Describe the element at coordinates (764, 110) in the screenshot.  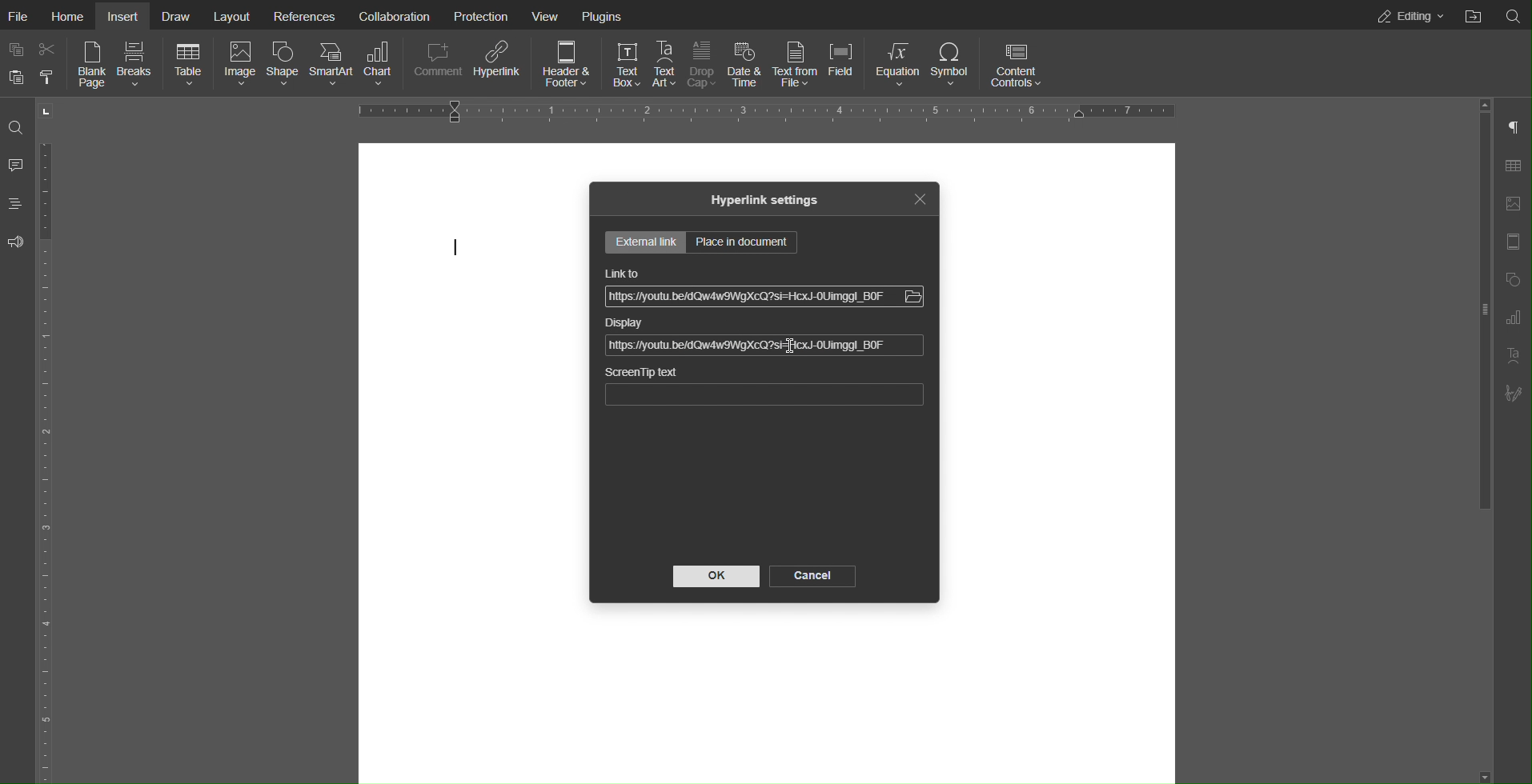
I see `Horizontal Ruler` at that location.